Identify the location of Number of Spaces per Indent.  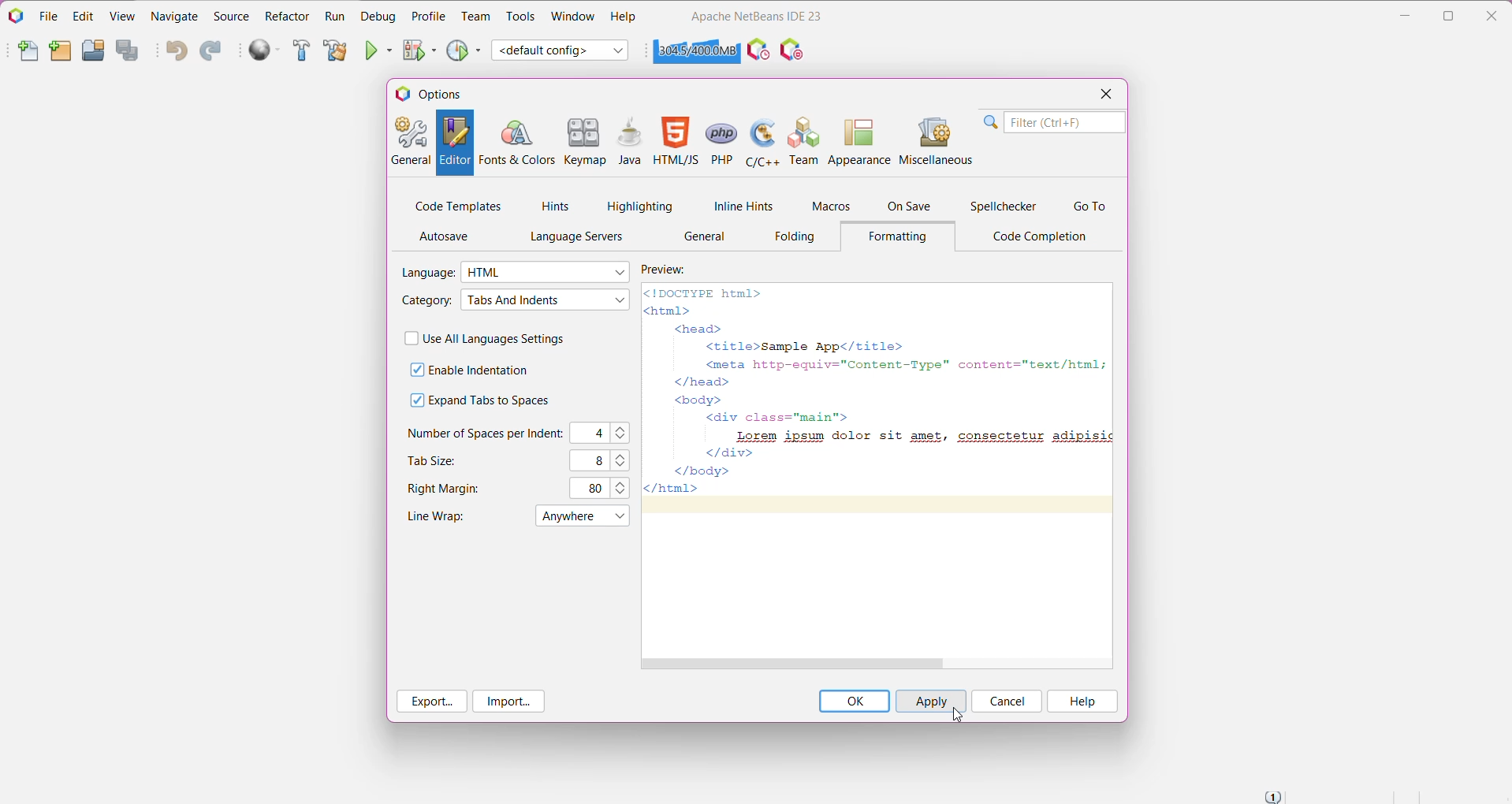
(485, 433).